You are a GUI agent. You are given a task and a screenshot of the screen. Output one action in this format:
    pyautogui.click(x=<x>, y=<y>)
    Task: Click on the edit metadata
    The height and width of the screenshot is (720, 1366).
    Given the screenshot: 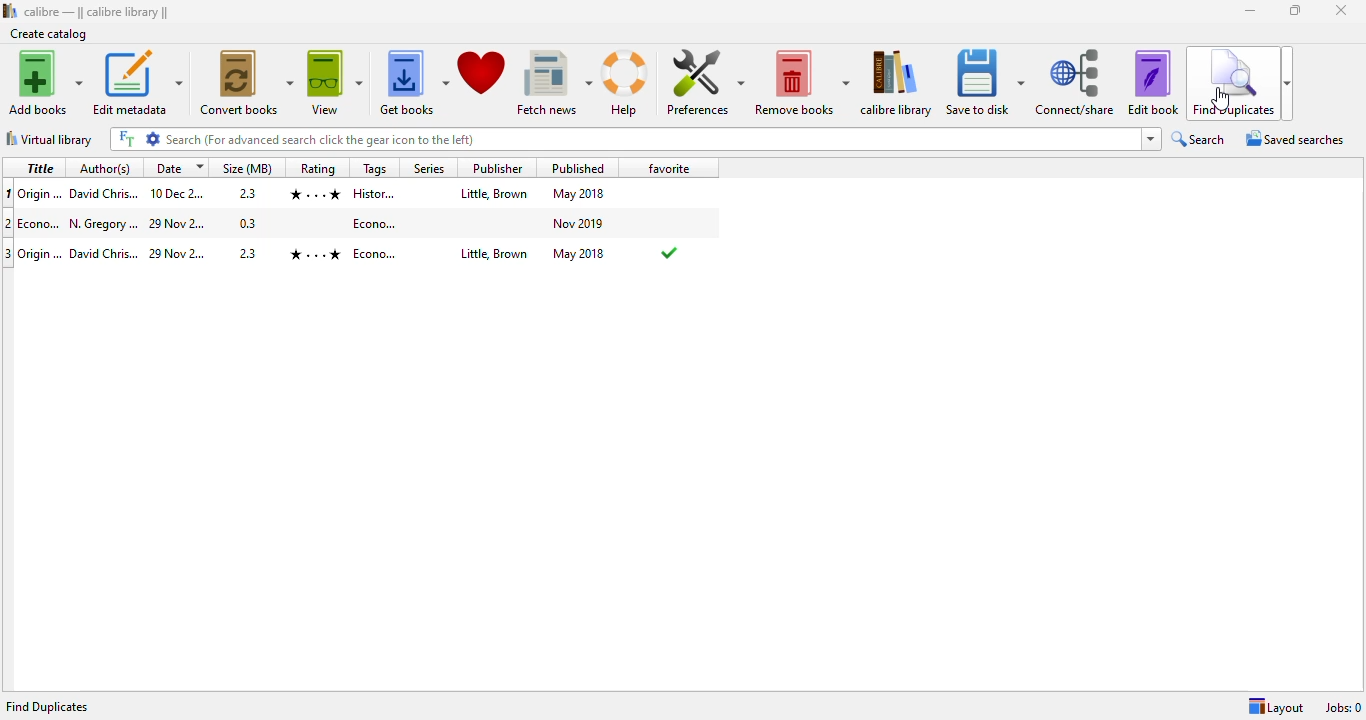 What is the action you would take?
    pyautogui.click(x=139, y=82)
    